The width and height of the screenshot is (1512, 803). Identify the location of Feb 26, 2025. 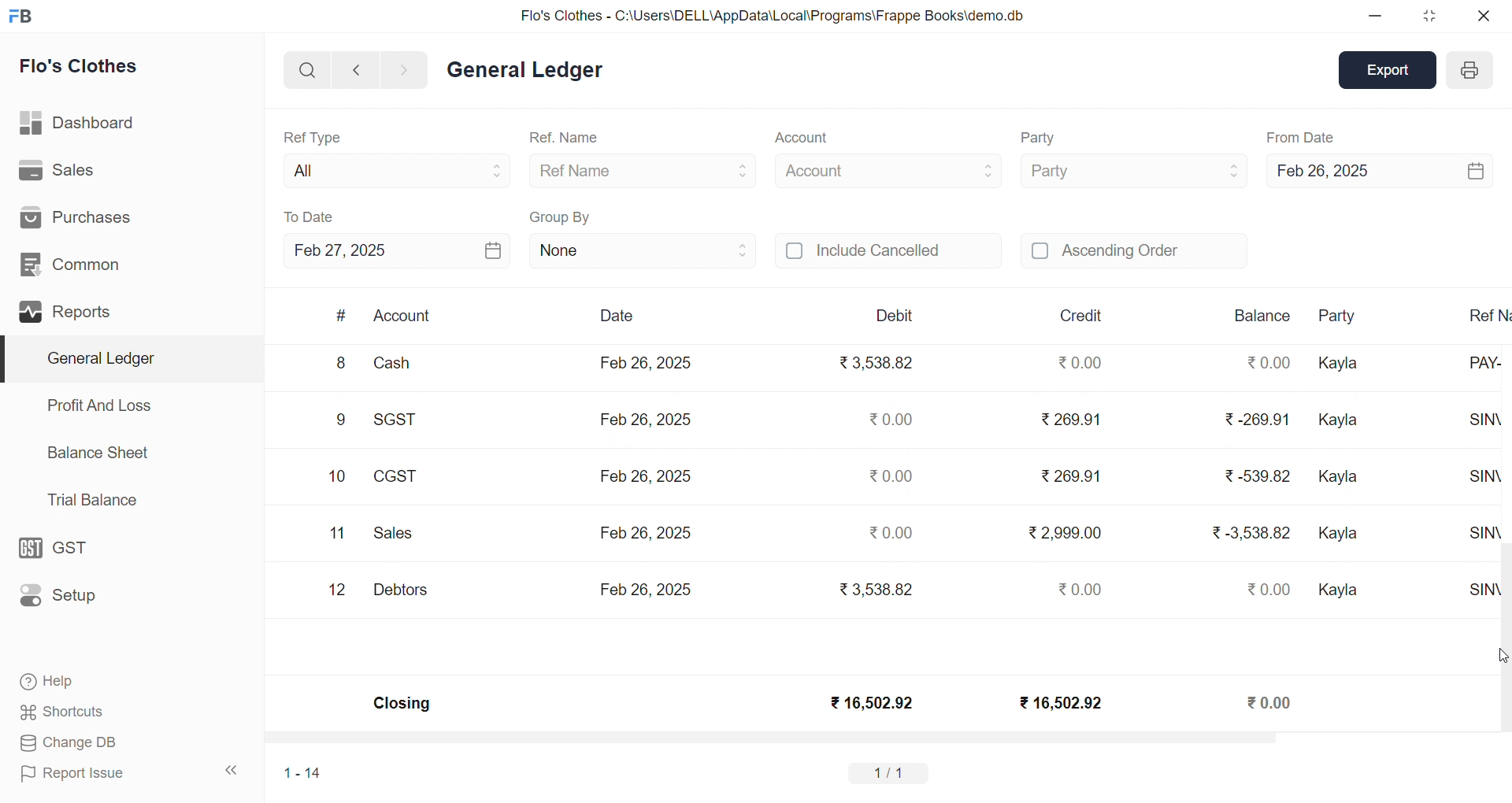
(646, 588).